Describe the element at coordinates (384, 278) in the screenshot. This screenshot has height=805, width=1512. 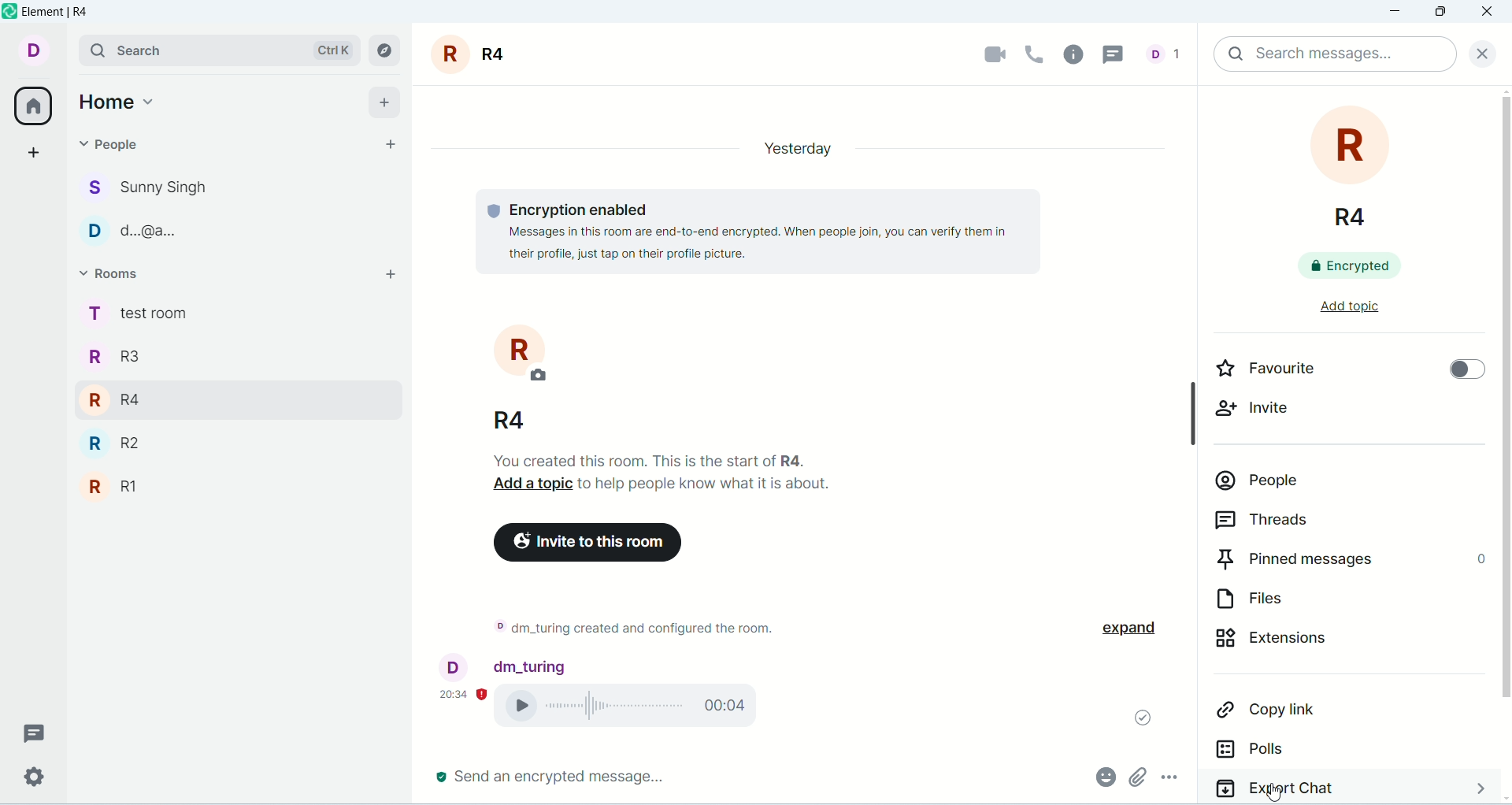
I see `add` at that location.